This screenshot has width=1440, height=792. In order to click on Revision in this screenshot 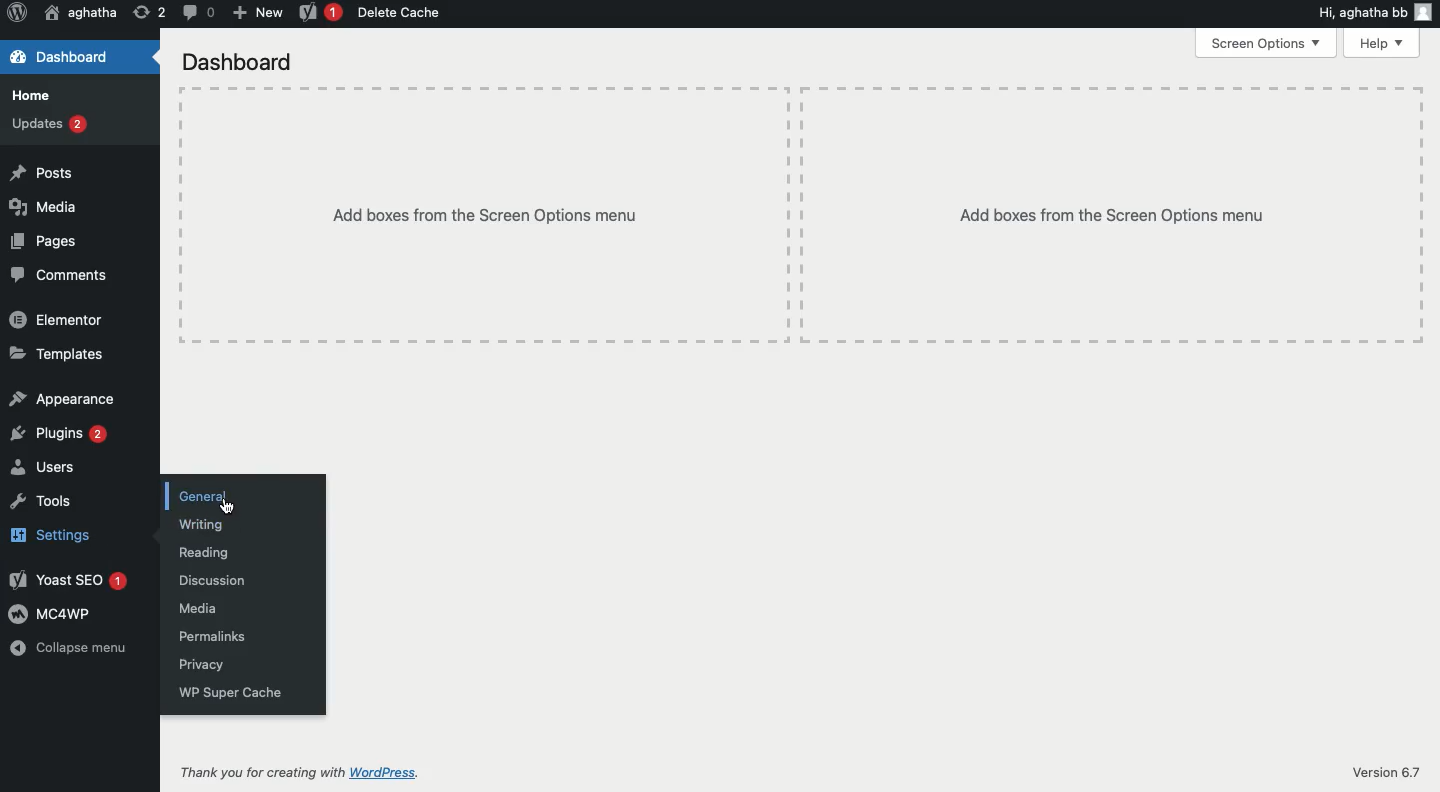, I will do `click(146, 15)`.